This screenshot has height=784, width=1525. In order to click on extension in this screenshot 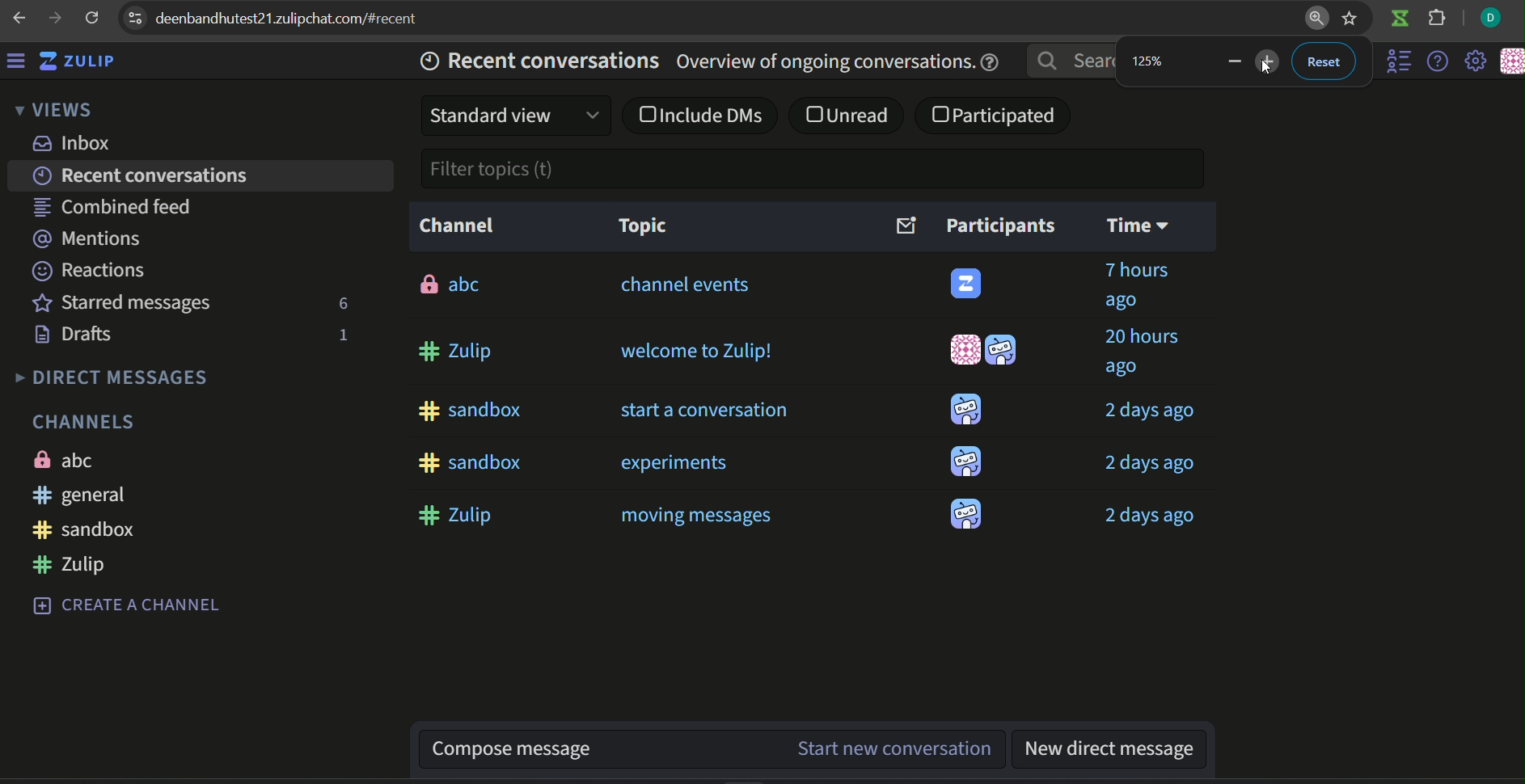, I will do `click(1438, 20)`.